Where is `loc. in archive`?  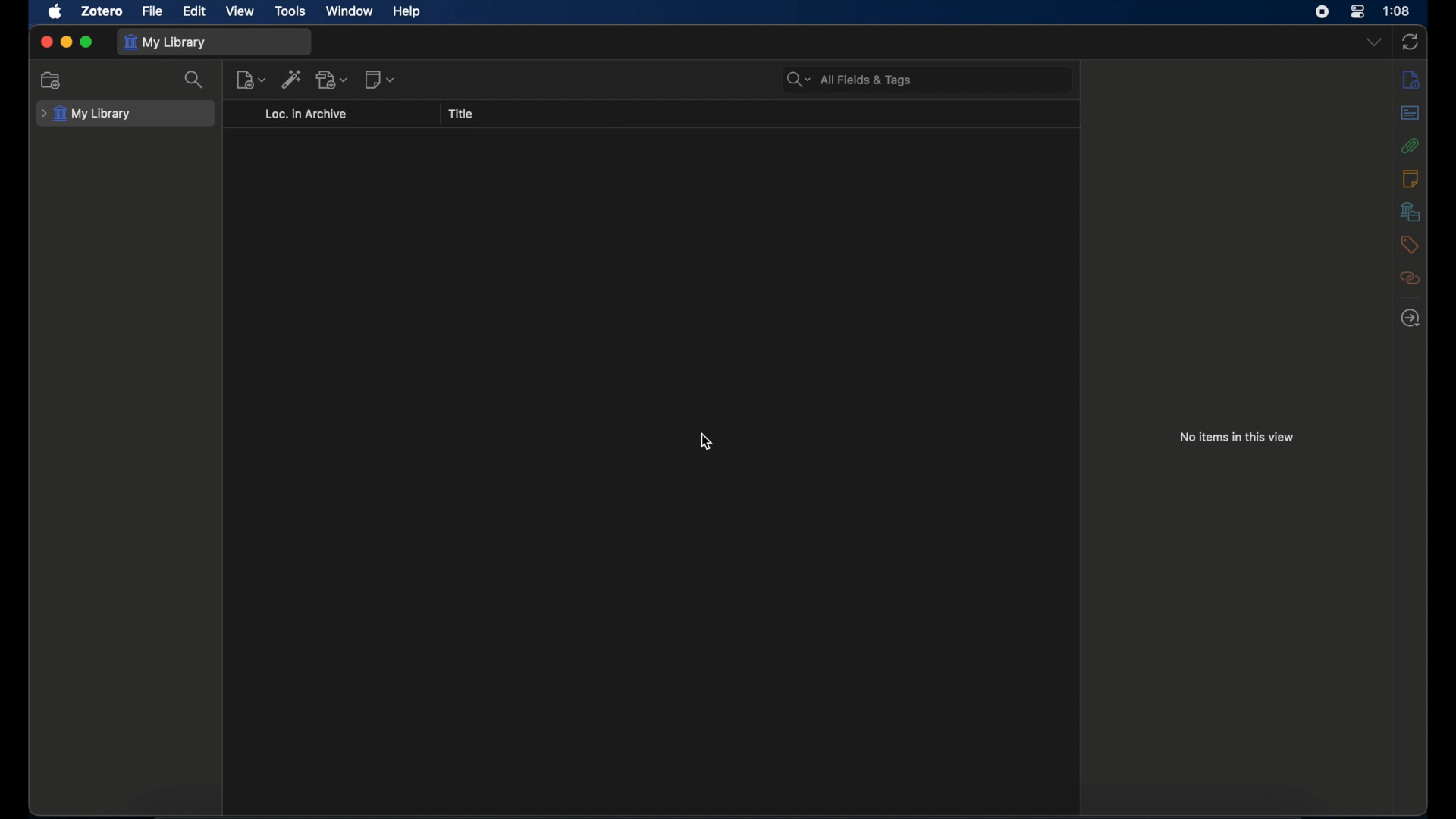 loc. in archive is located at coordinates (305, 114).